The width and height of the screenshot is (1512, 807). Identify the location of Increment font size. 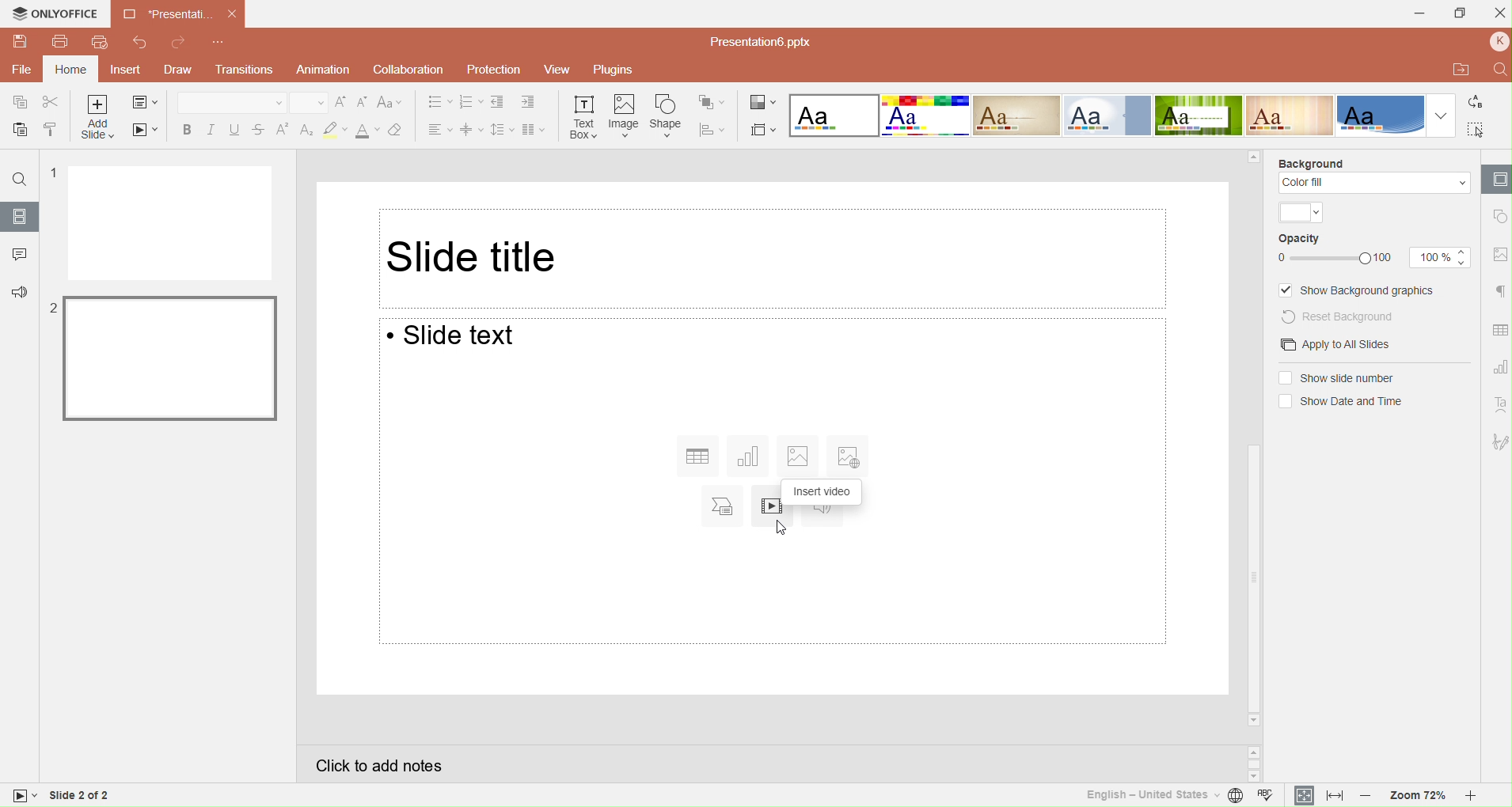
(341, 102).